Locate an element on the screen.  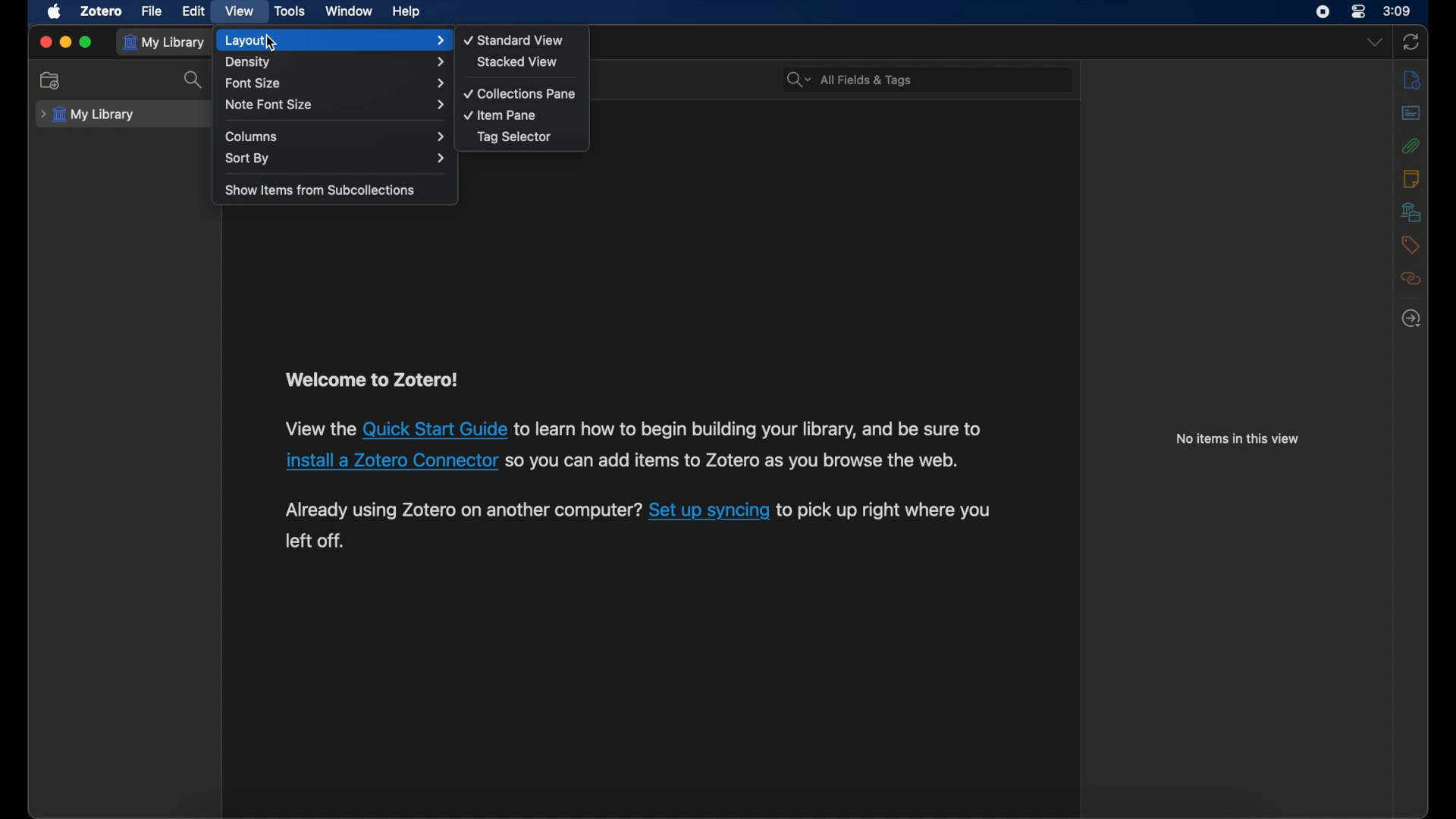
abstract is located at coordinates (1411, 113).